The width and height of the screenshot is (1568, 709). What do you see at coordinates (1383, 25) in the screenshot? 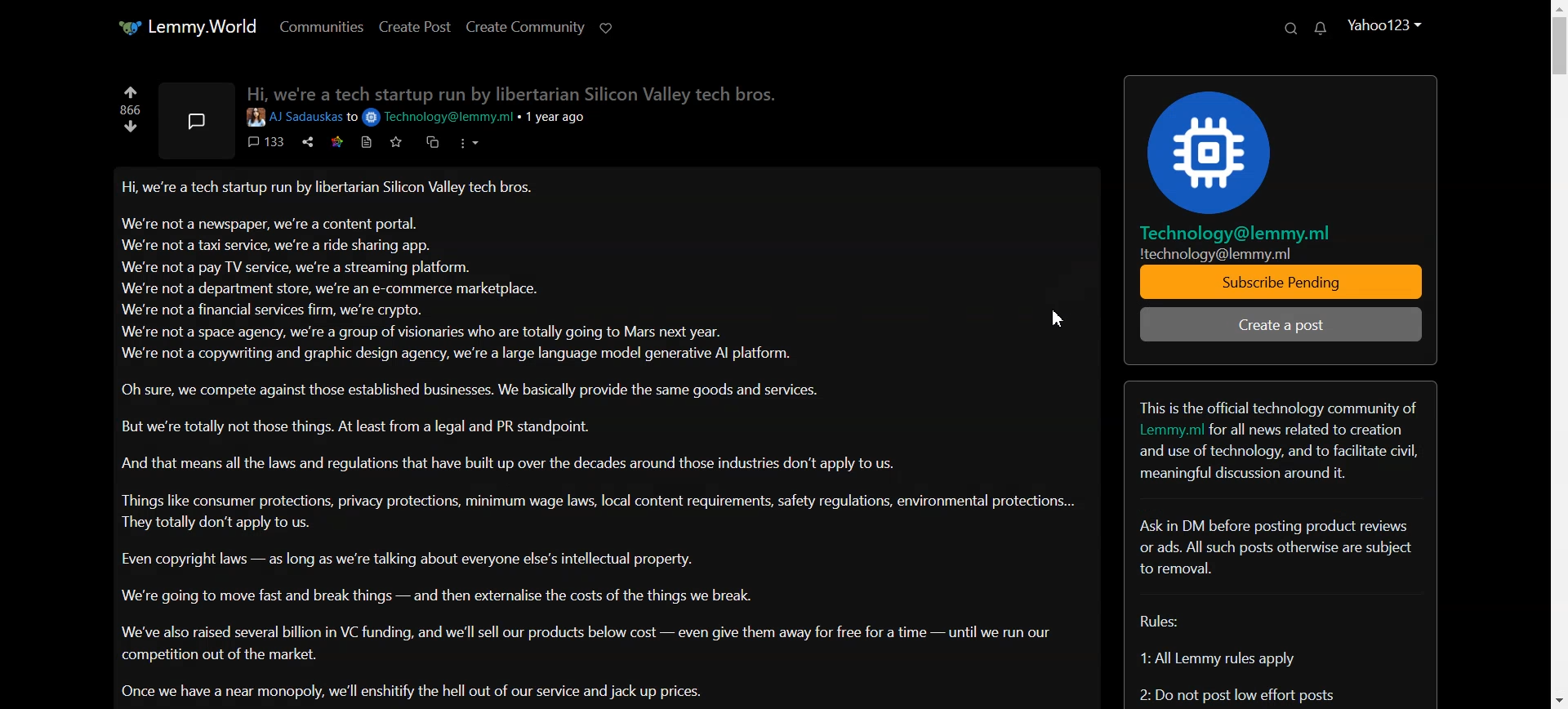
I see `yahoo123` at bounding box center [1383, 25].